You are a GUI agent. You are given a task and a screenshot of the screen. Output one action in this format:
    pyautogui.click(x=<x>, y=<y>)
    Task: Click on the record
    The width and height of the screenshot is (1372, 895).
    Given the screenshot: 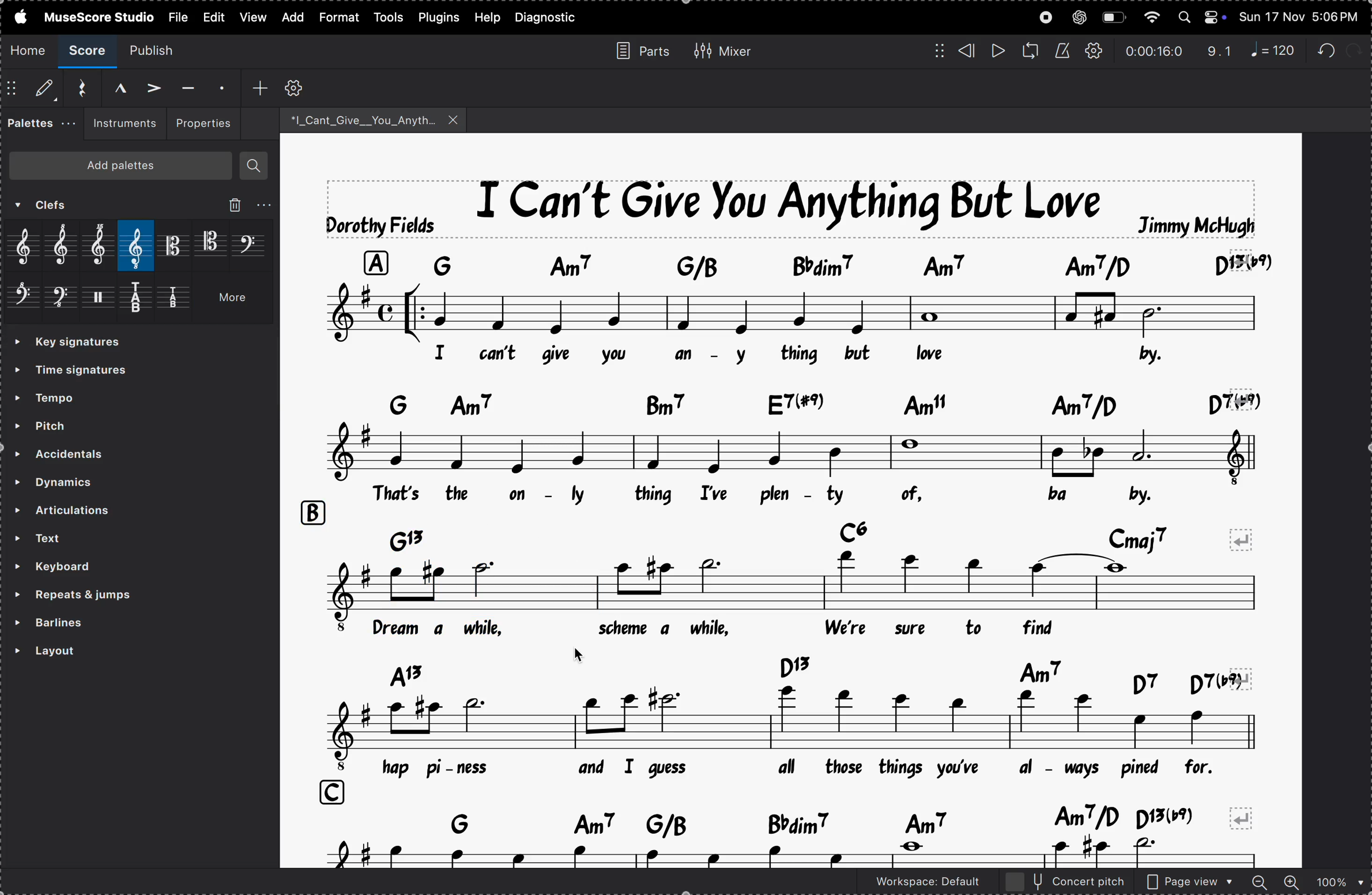 What is the action you would take?
    pyautogui.click(x=1046, y=17)
    